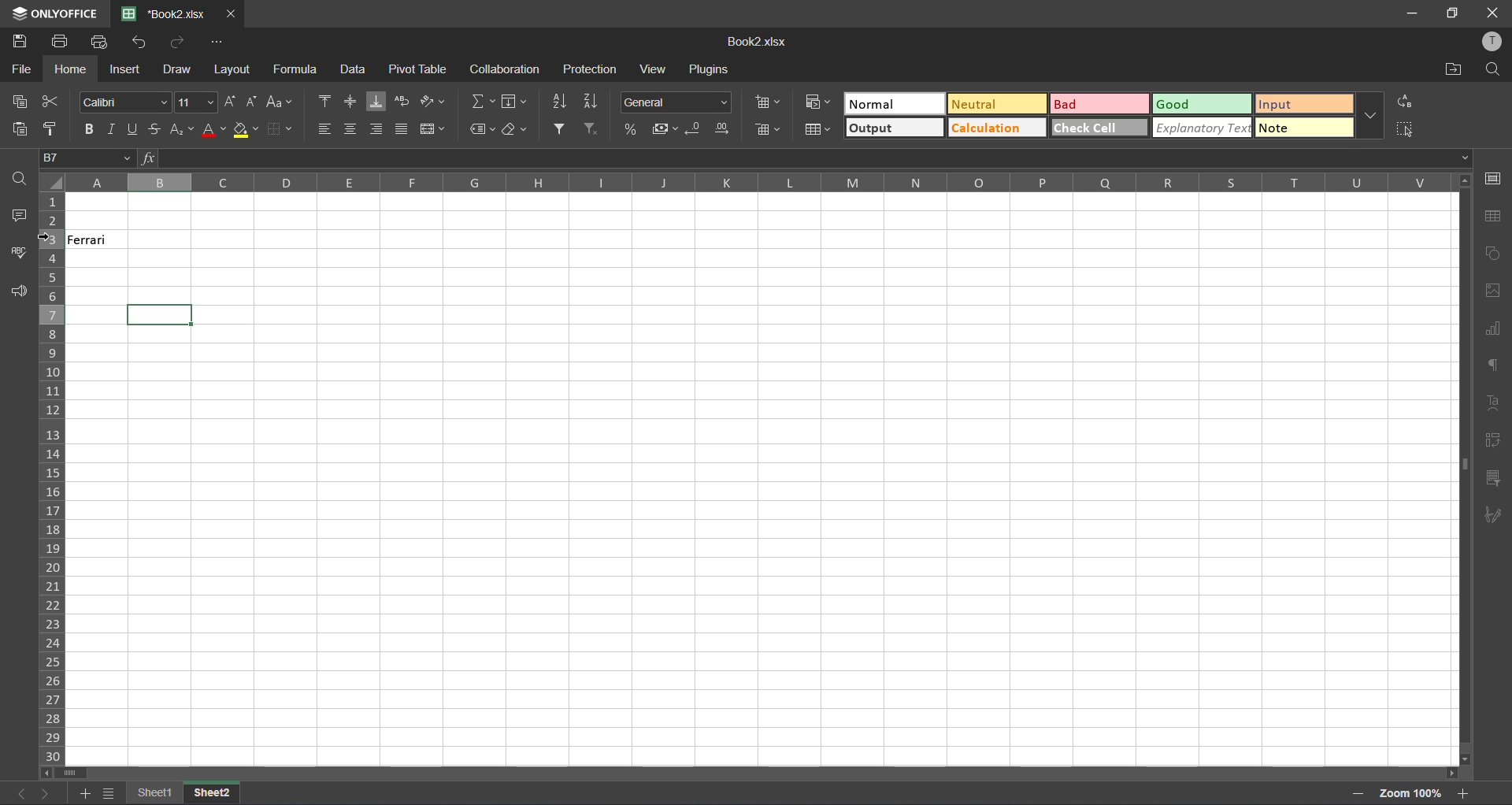 The image size is (1512, 805). I want to click on font color, so click(215, 129).